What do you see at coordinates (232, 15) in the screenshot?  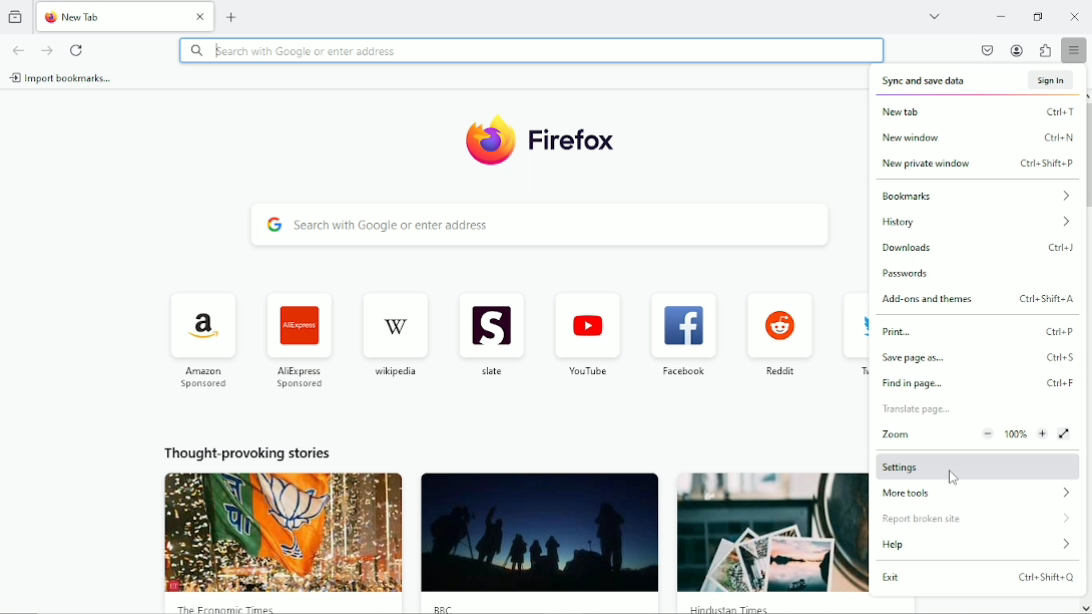 I see `New tab` at bounding box center [232, 15].